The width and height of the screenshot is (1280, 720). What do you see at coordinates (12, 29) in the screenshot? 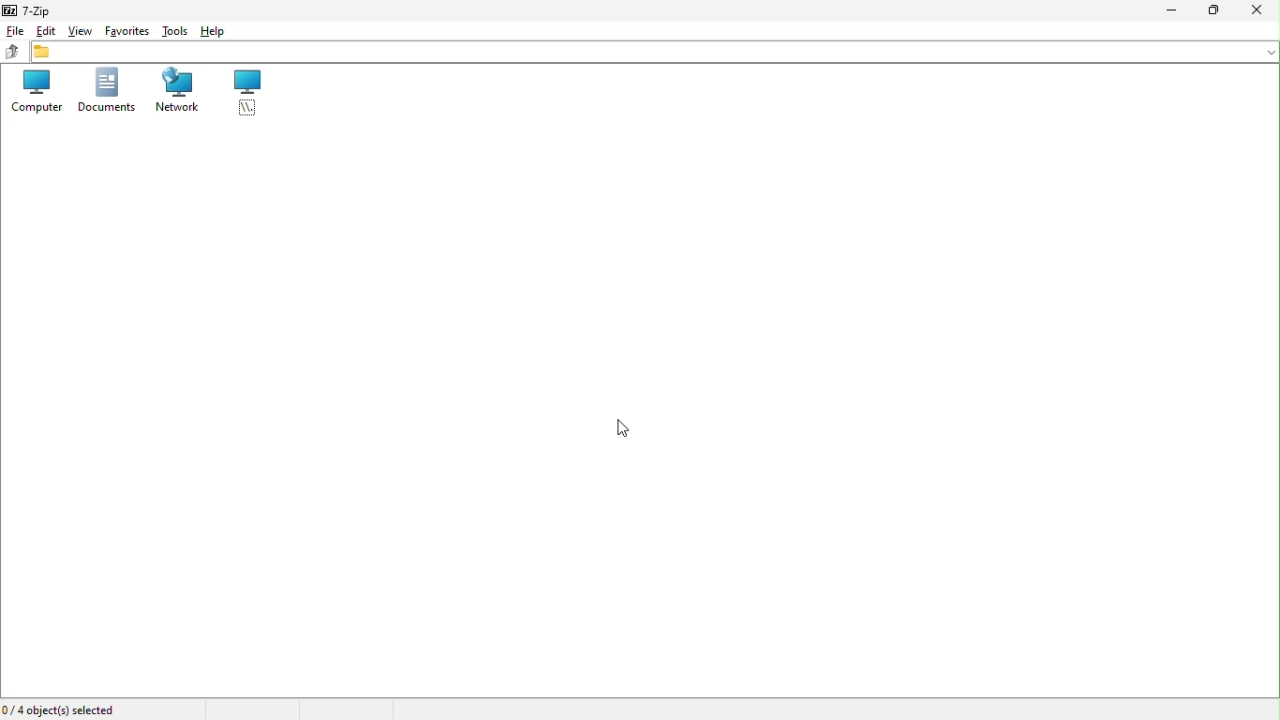
I see `File ` at bounding box center [12, 29].